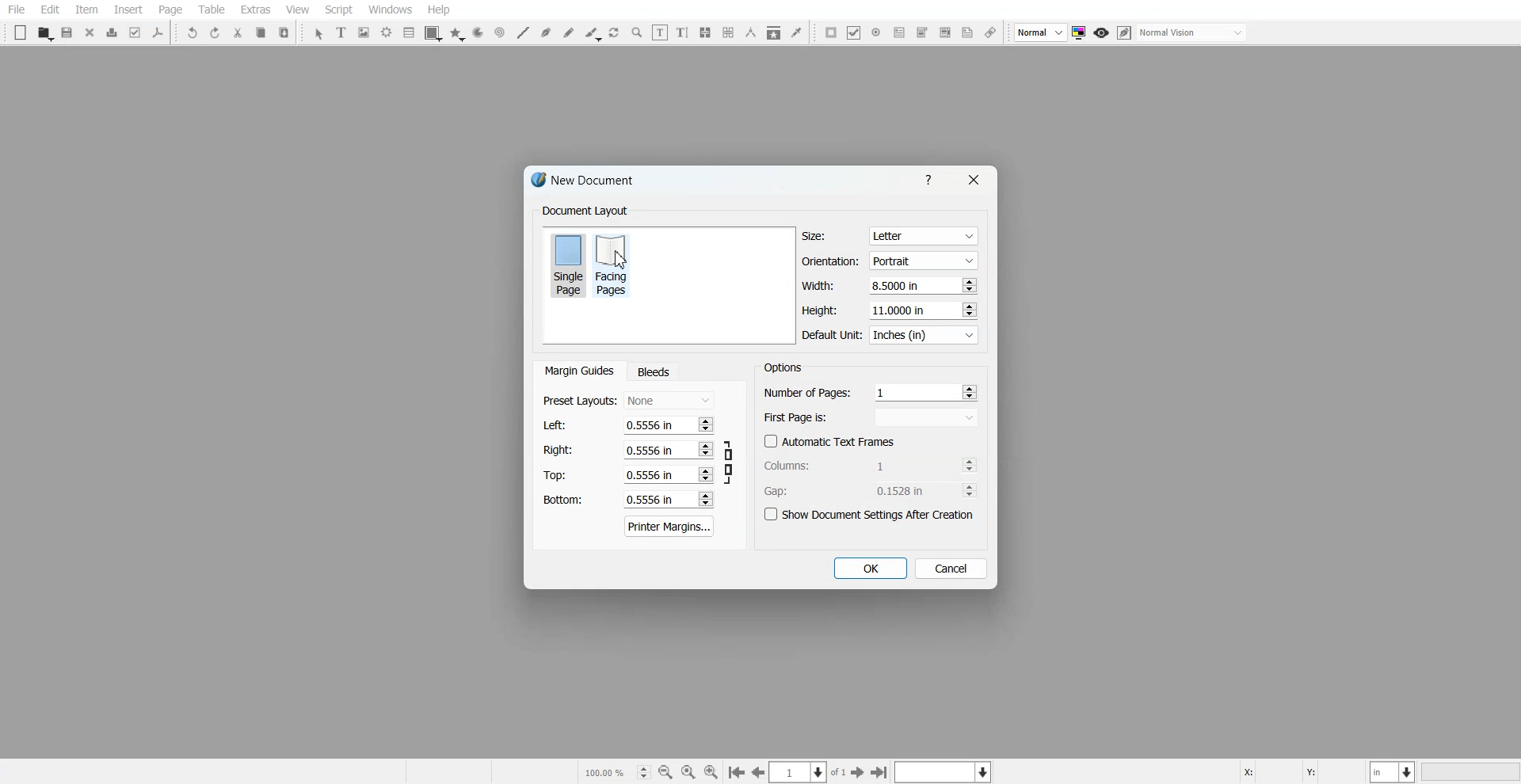 The height and width of the screenshot is (784, 1521). I want to click on Select the current layer, so click(945, 771).